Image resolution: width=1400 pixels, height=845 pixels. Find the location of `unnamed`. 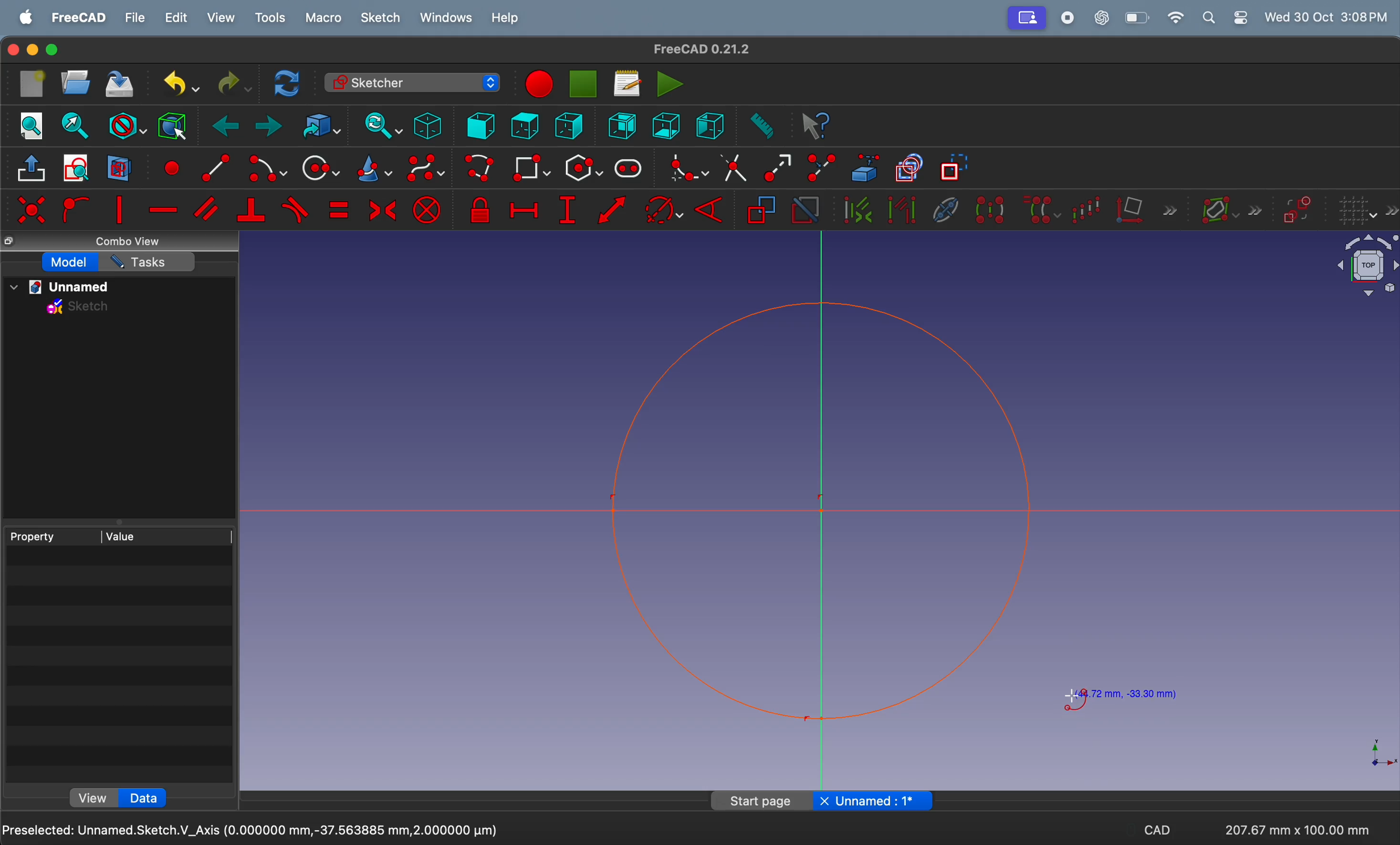

unnamed is located at coordinates (65, 287).